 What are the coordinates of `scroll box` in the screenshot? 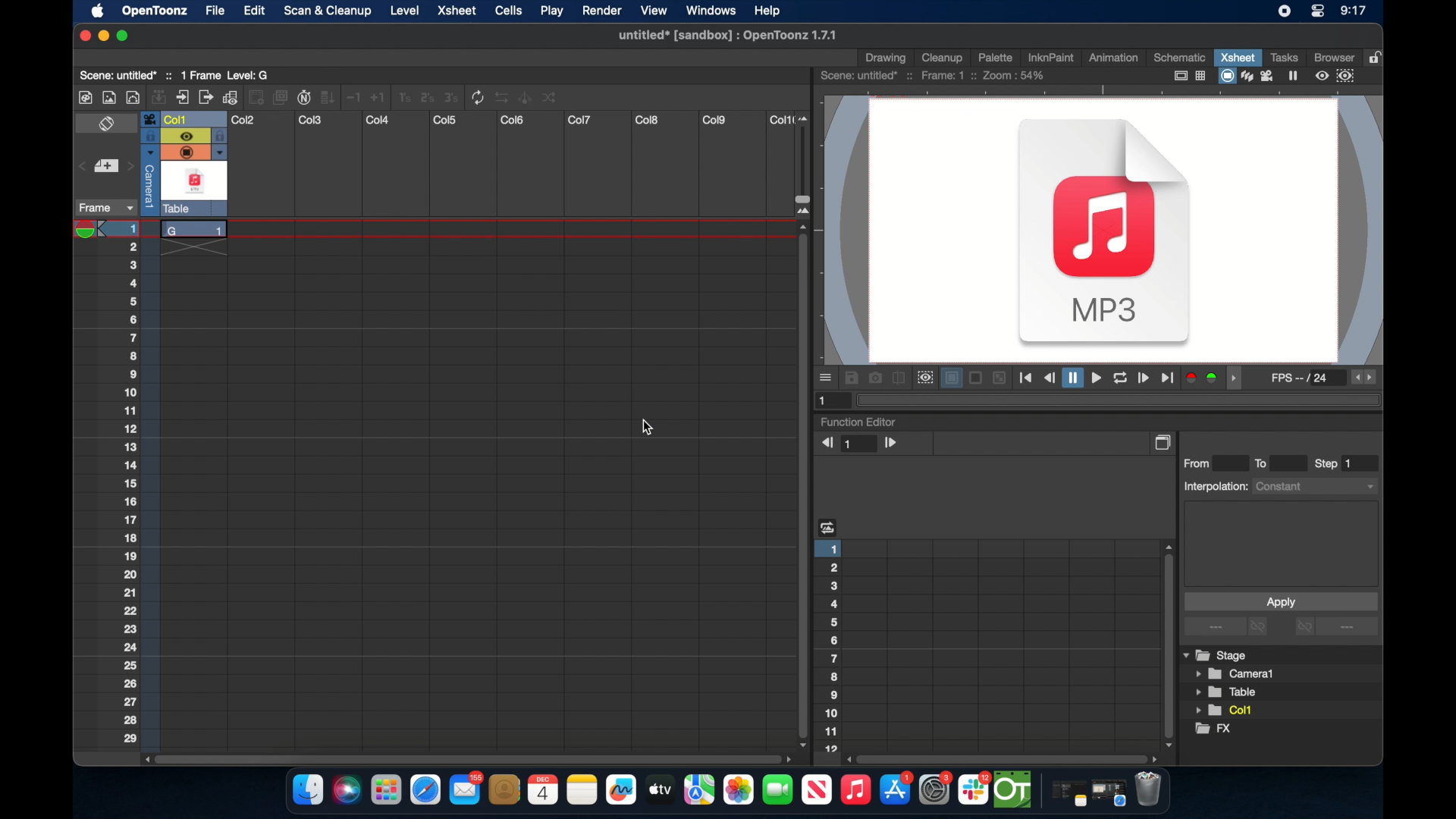 It's located at (801, 490).